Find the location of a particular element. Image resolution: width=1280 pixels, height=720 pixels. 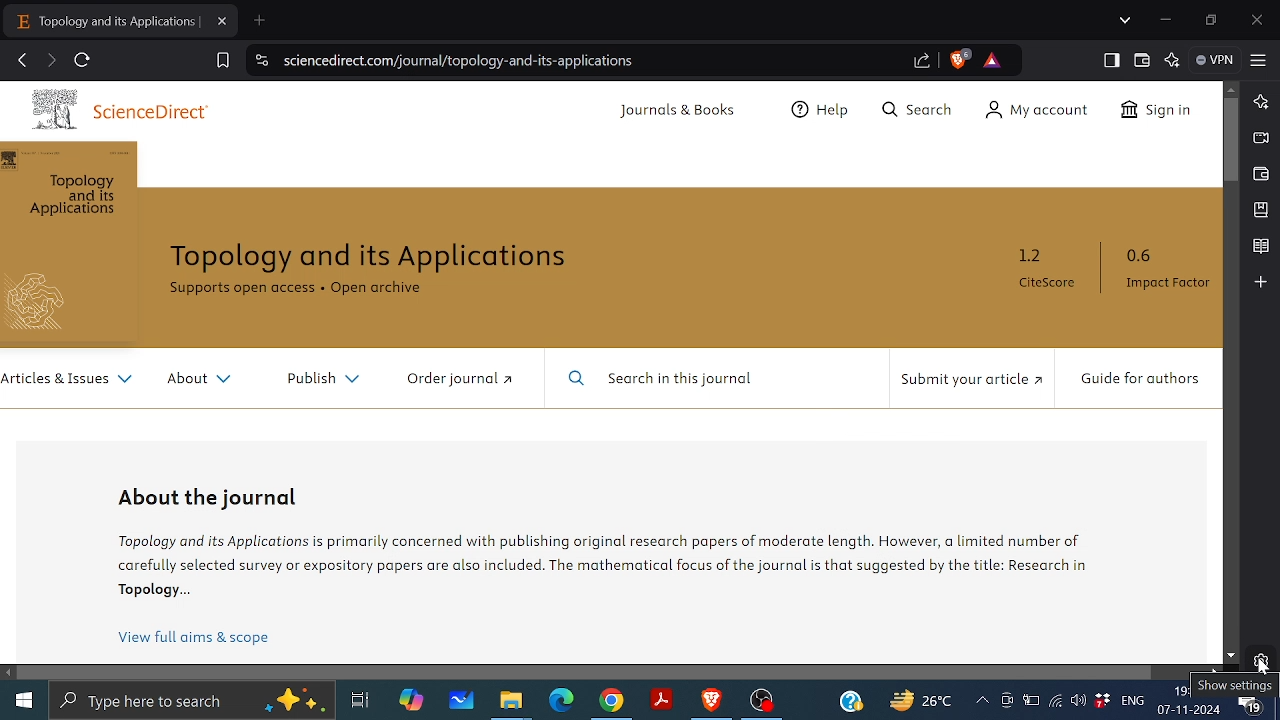

Move down is located at coordinates (1230, 655).